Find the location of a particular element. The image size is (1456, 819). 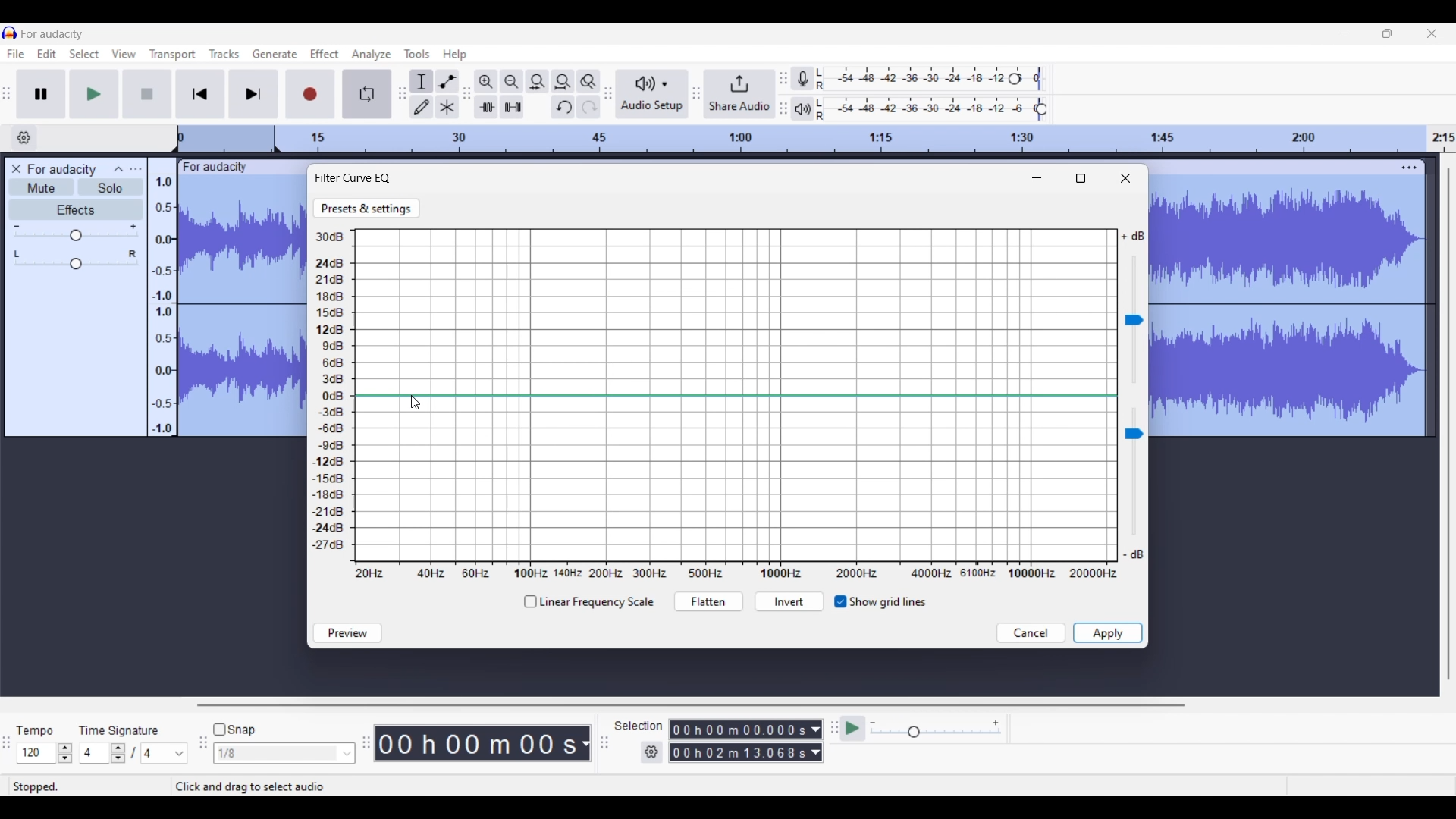

Skip/Select to end is located at coordinates (254, 94).